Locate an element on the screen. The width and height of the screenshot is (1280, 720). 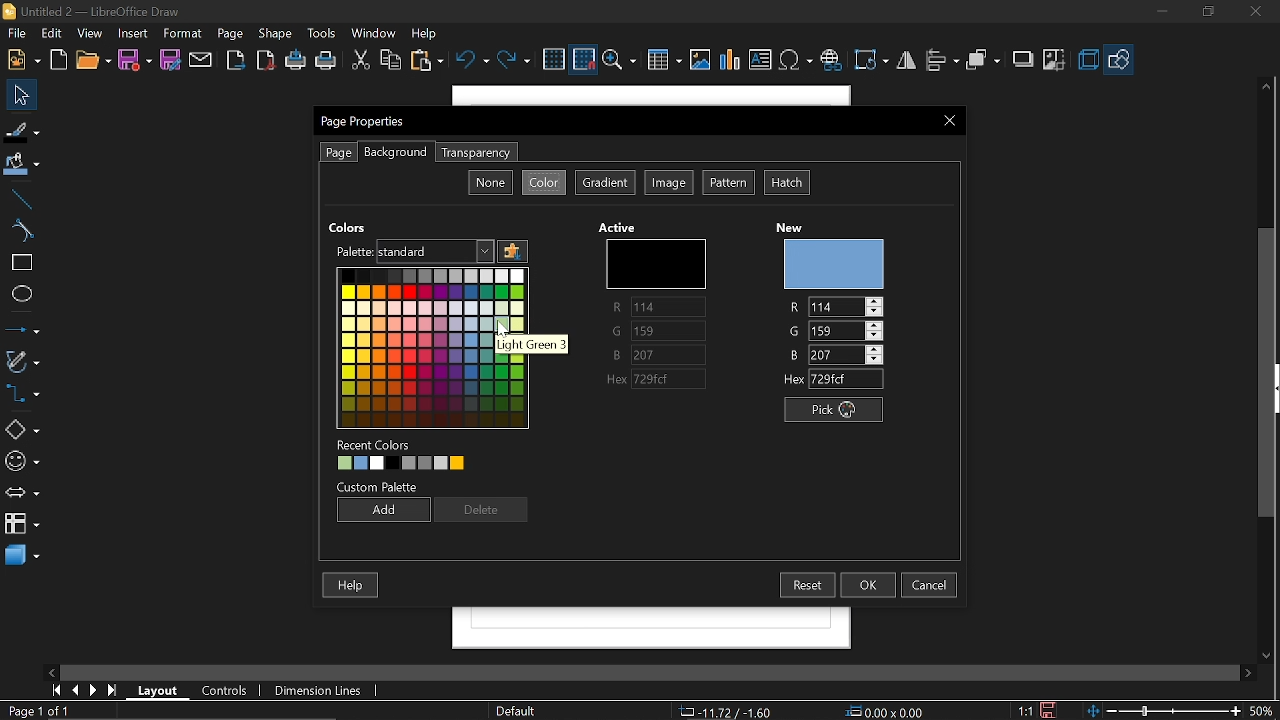
Ok is located at coordinates (868, 585).